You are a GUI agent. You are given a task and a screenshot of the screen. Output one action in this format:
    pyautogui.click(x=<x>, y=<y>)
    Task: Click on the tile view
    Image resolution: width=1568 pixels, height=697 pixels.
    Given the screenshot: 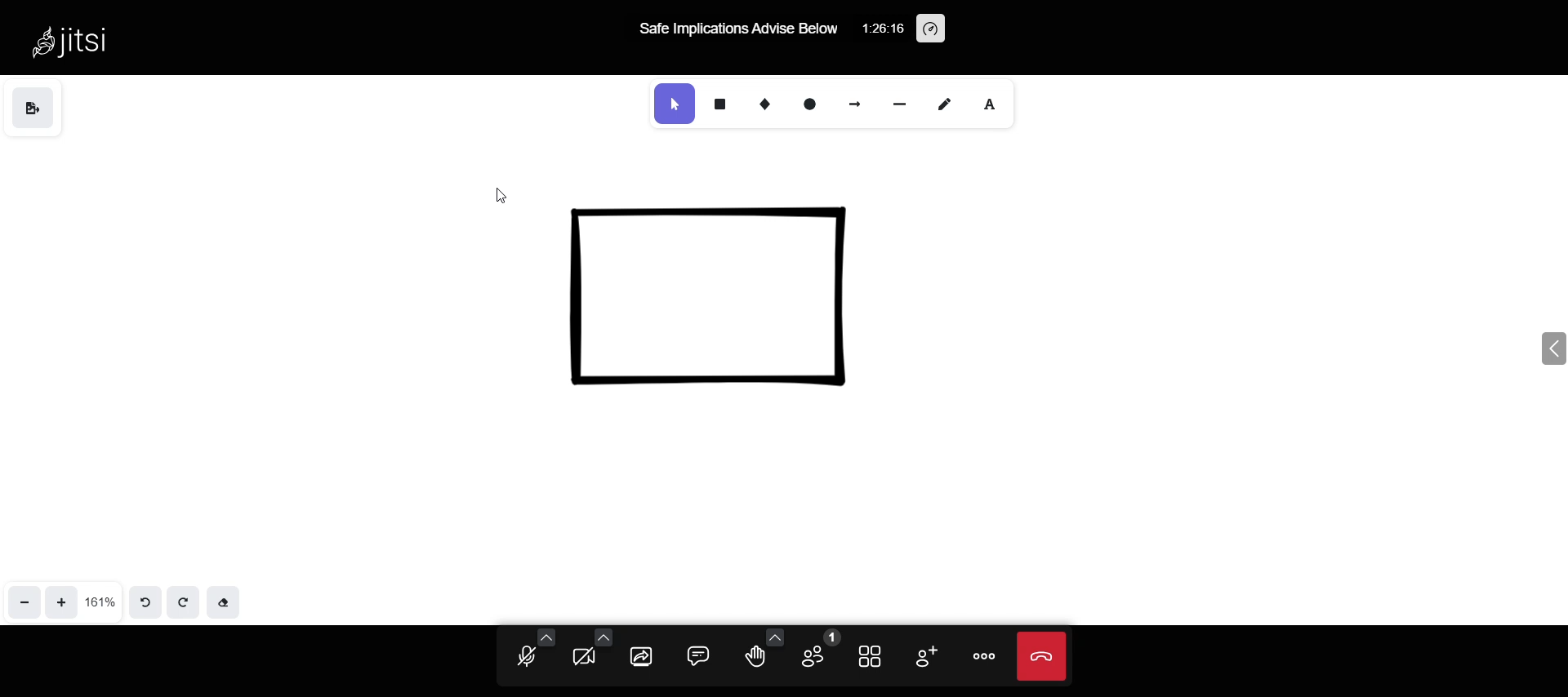 What is the action you would take?
    pyautogui.click(x=869, y=657)
    